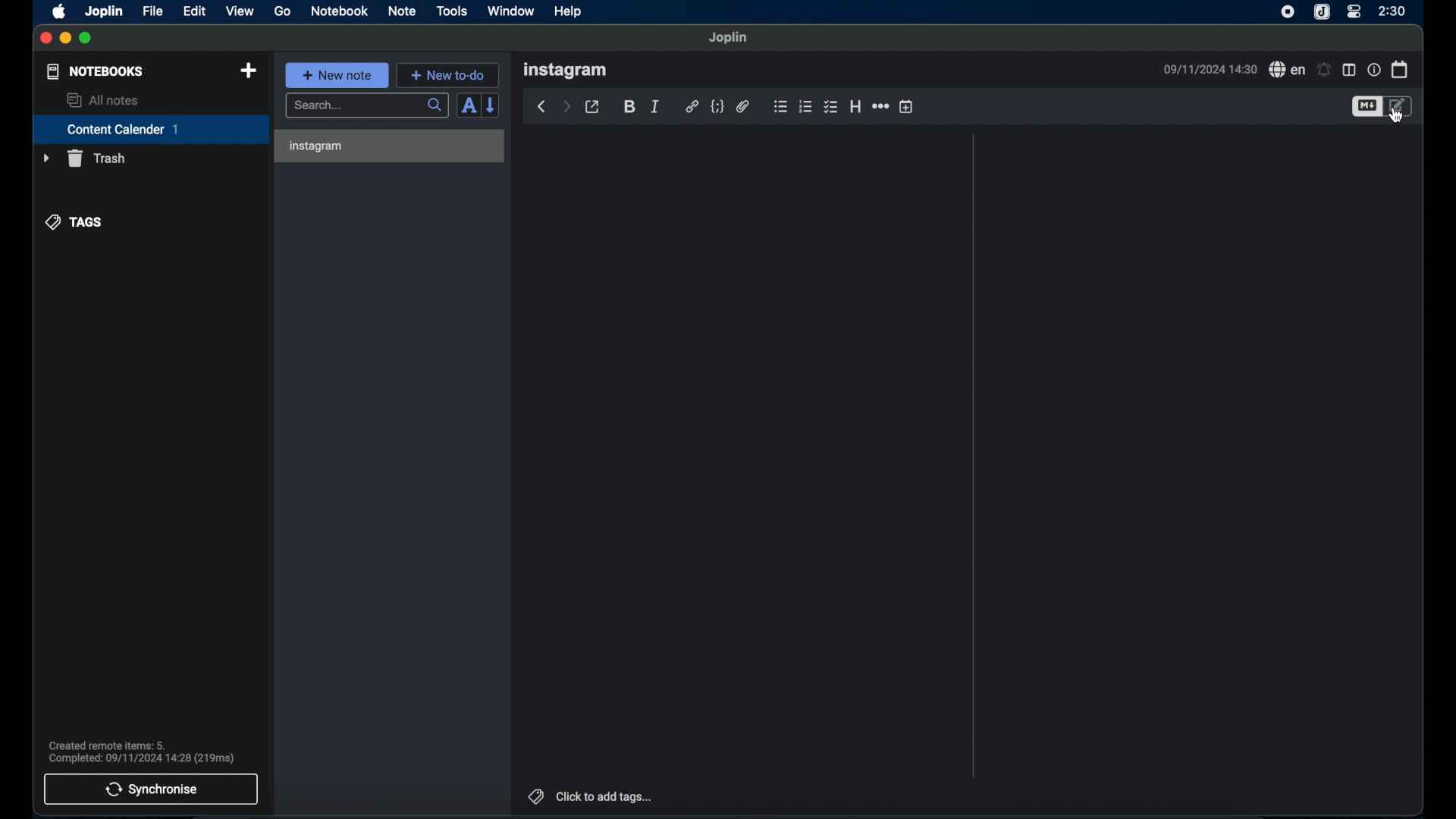  I want to click on numbered list, so click(805, 107).